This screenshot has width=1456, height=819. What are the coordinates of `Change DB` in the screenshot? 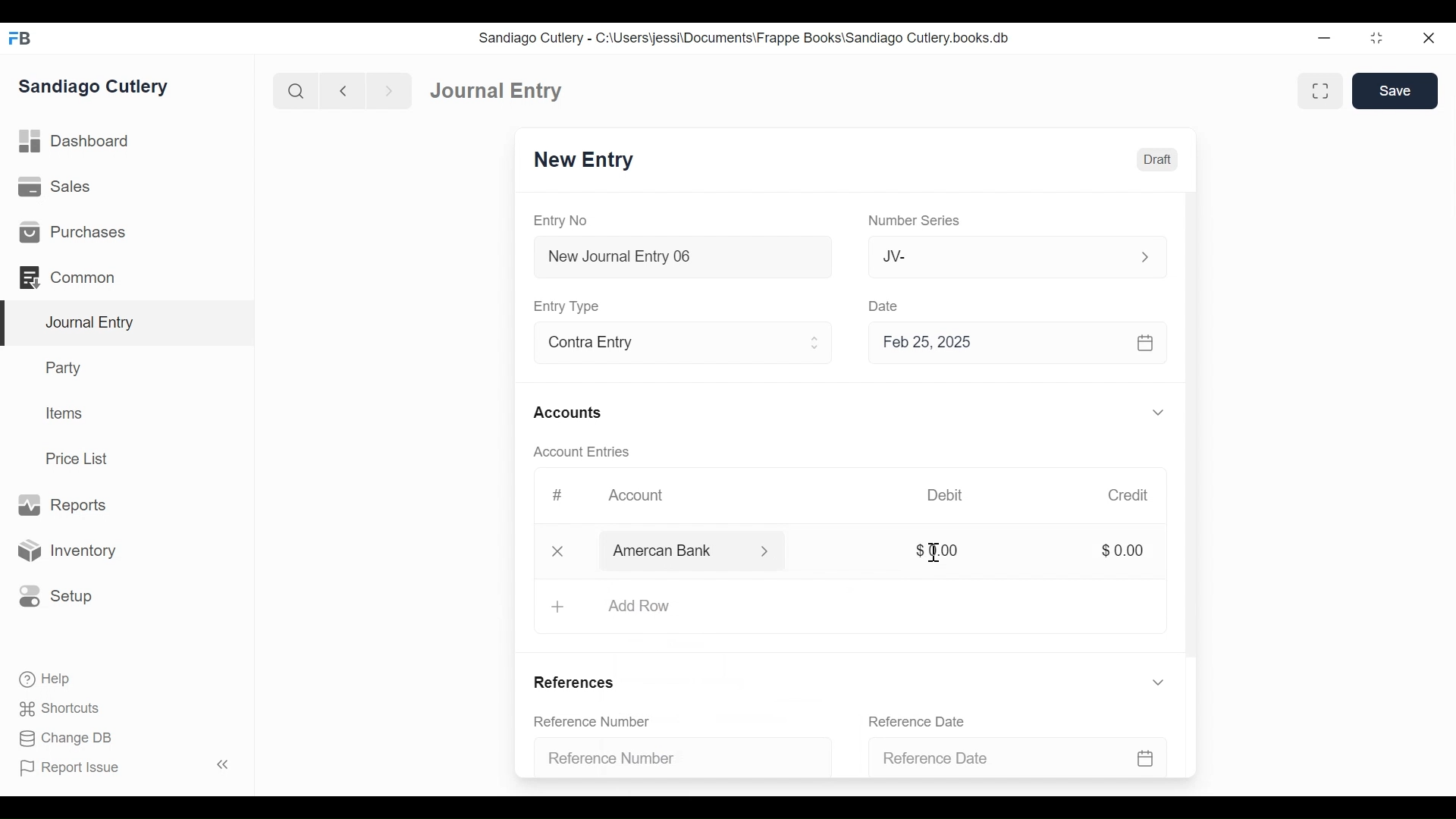 It's located at (68, 740).